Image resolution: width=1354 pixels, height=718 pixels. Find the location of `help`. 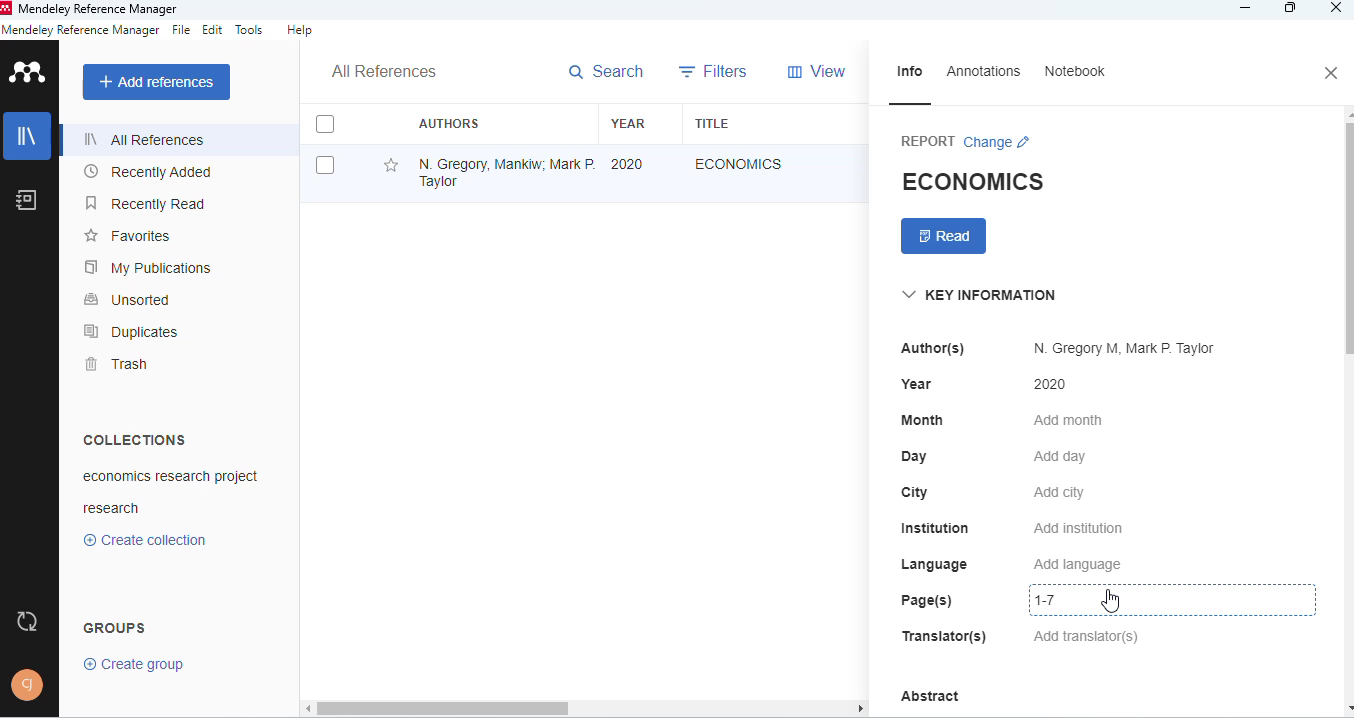

help is located at coordinates (300, 30).